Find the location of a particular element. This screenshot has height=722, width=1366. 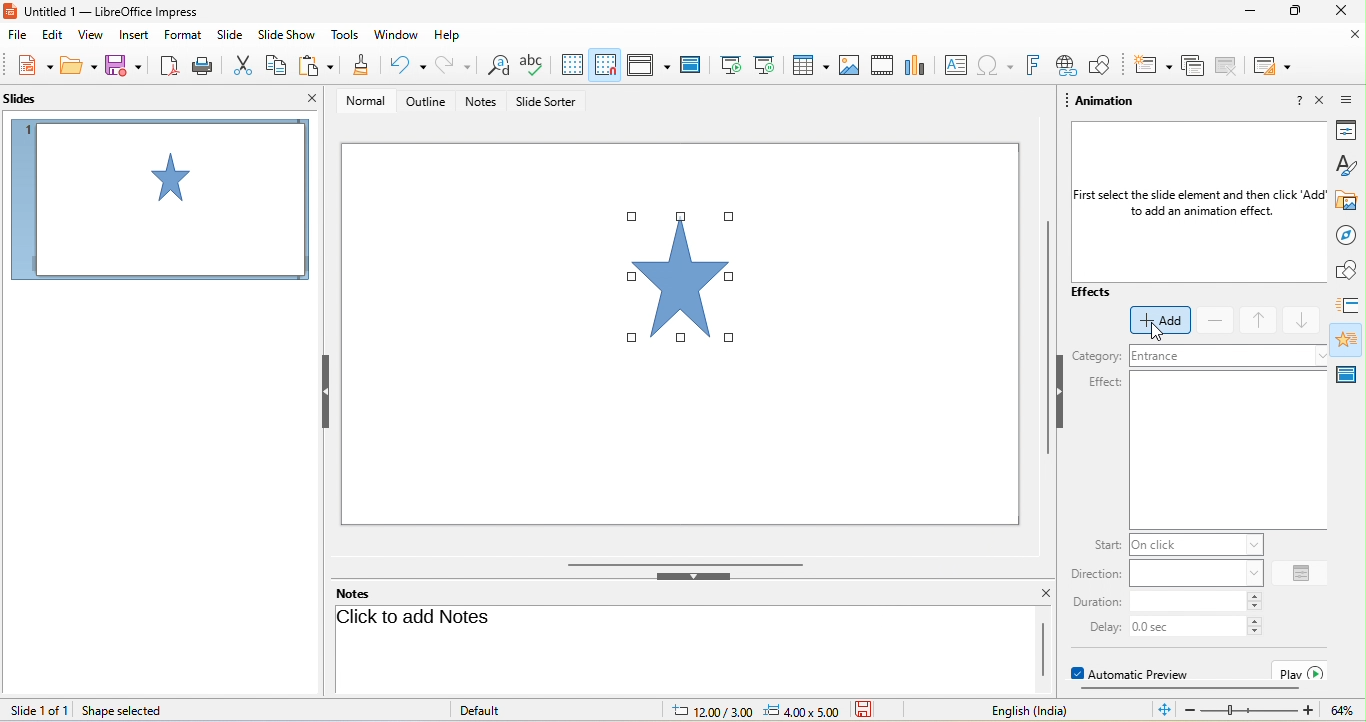

navigator is located at coordinates (1351, 236).